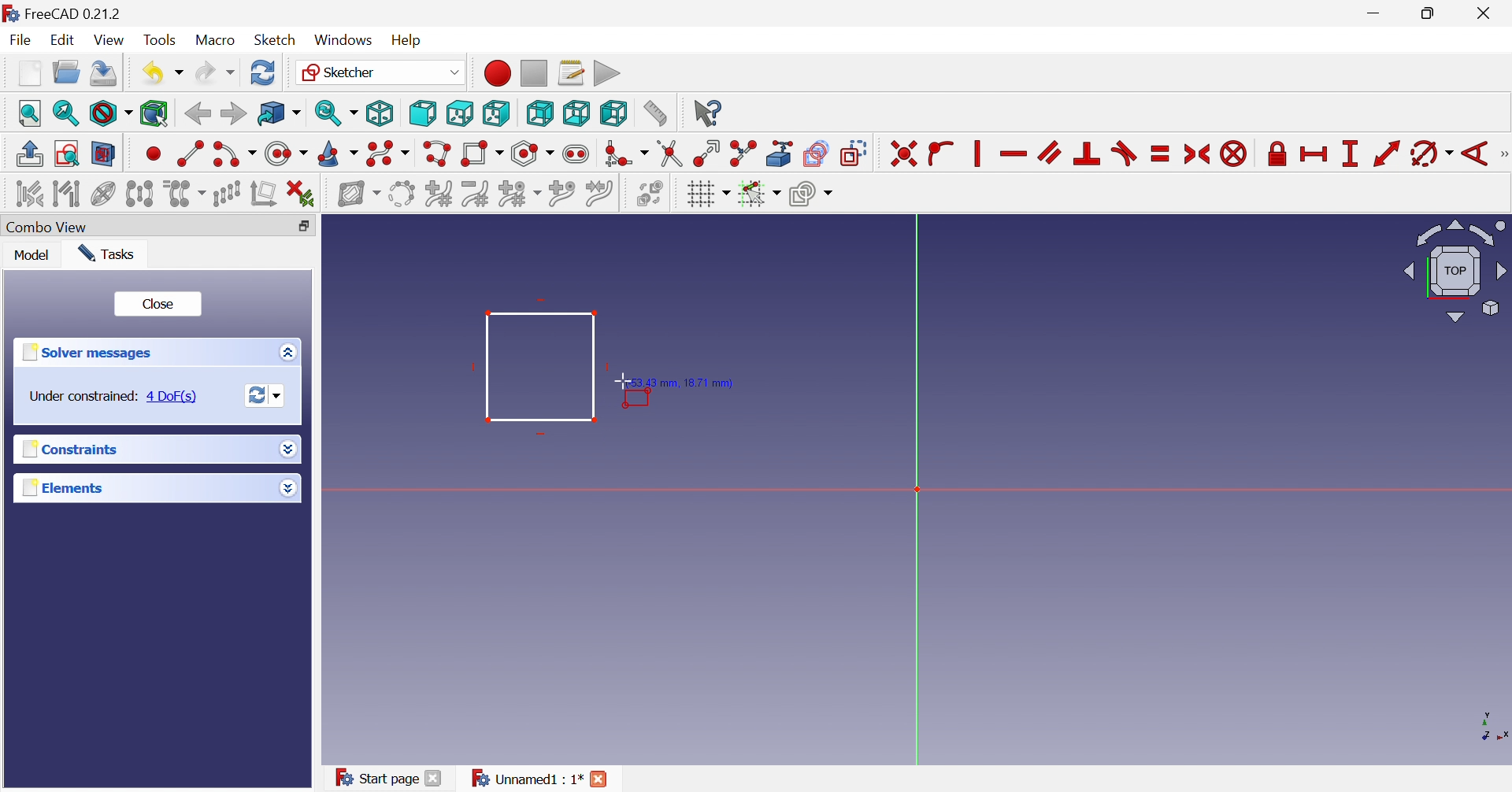 Image resolution: width=1512 pixels, height=792 pixels. I want to click on Join curves, so click(599, 194).